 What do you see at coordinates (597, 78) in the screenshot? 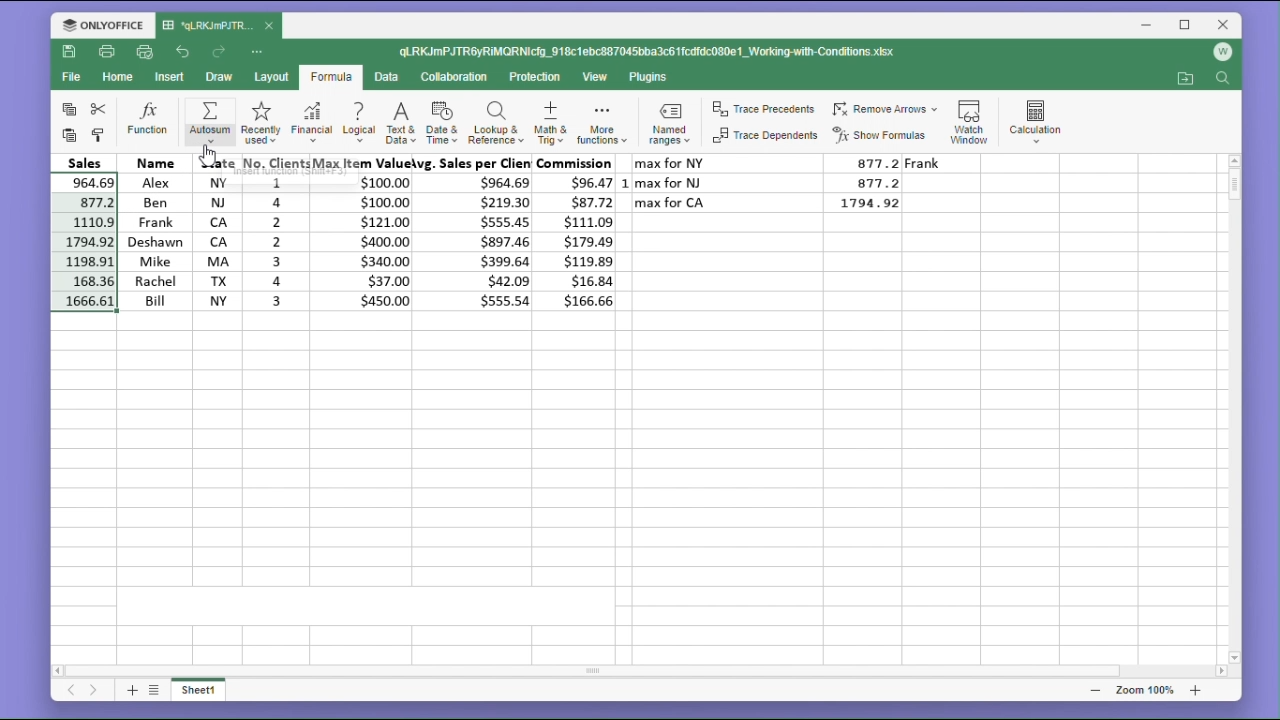
I see `view` at bounding box center [597, 78].